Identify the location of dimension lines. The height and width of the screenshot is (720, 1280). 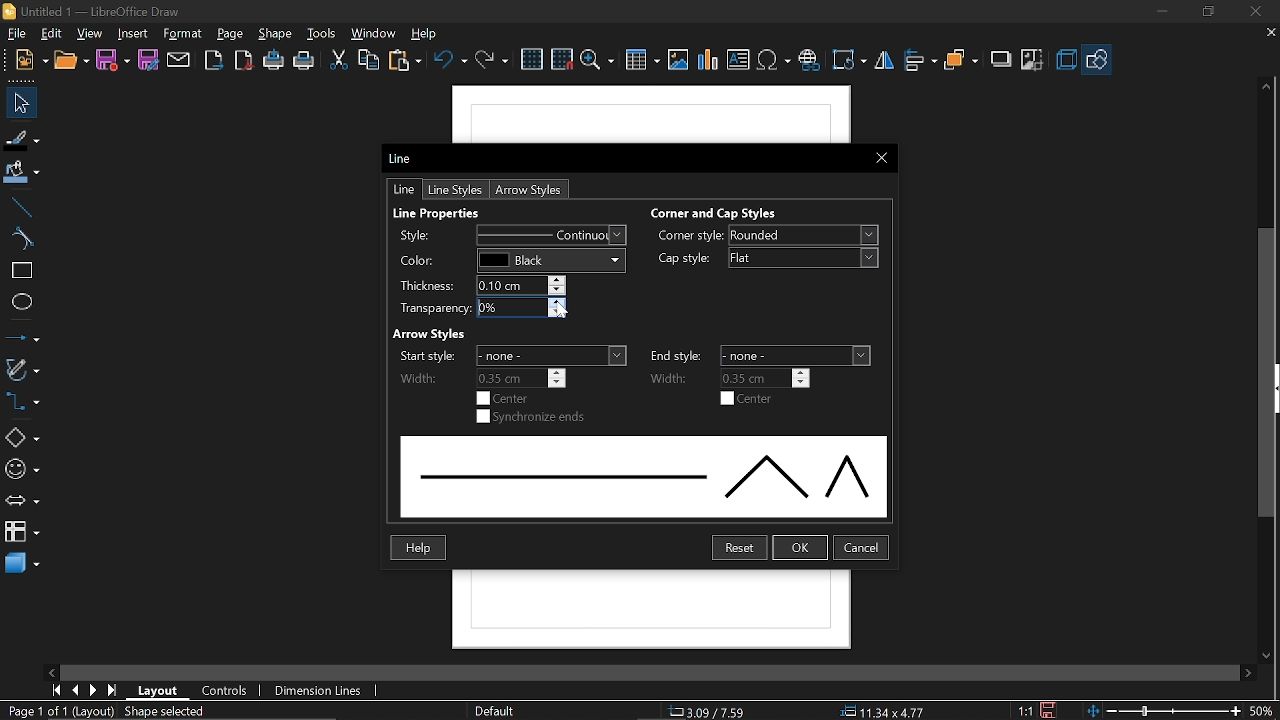
(320, 691).